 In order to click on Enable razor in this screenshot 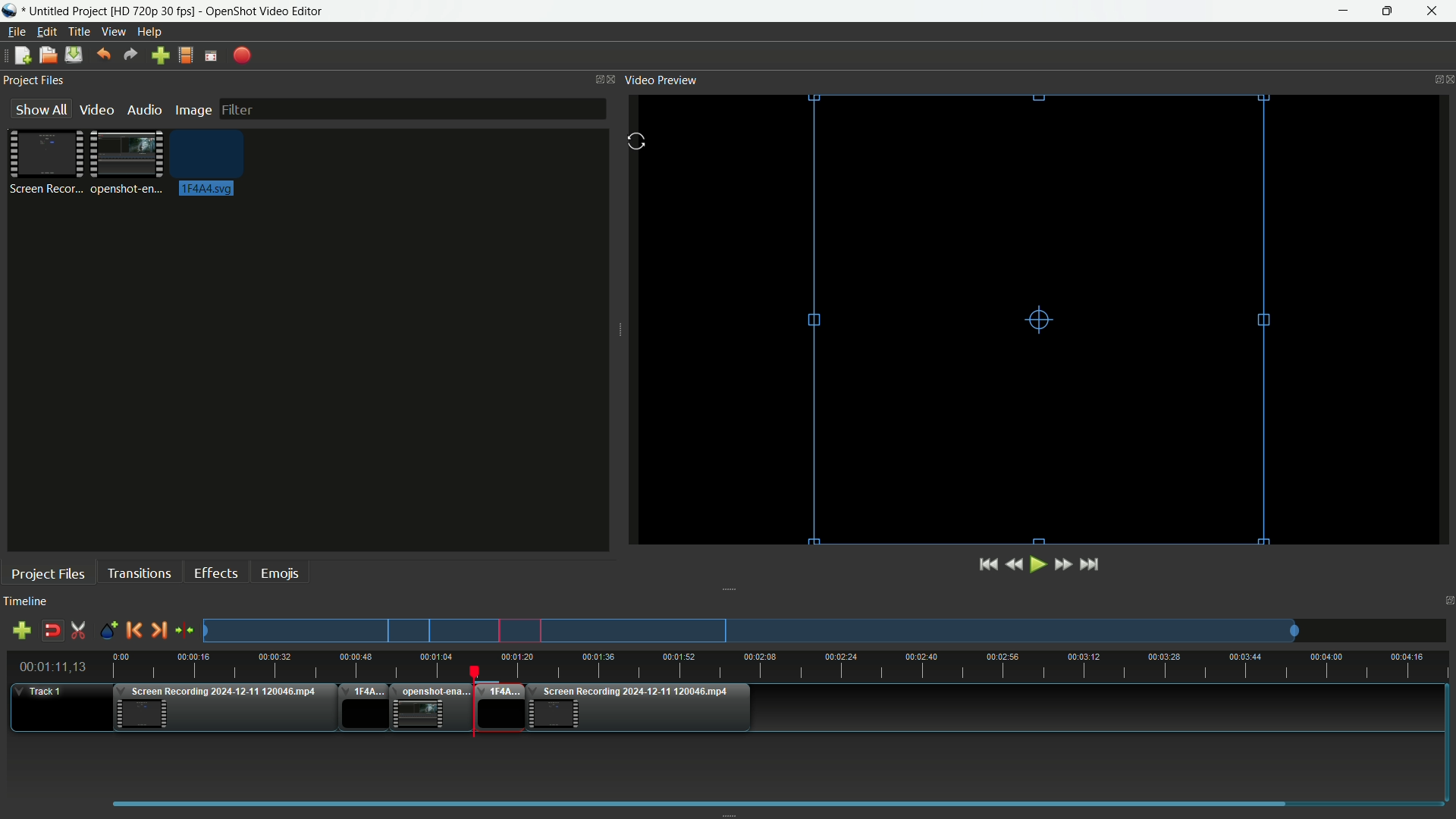, I will do `click(79, 631)`.